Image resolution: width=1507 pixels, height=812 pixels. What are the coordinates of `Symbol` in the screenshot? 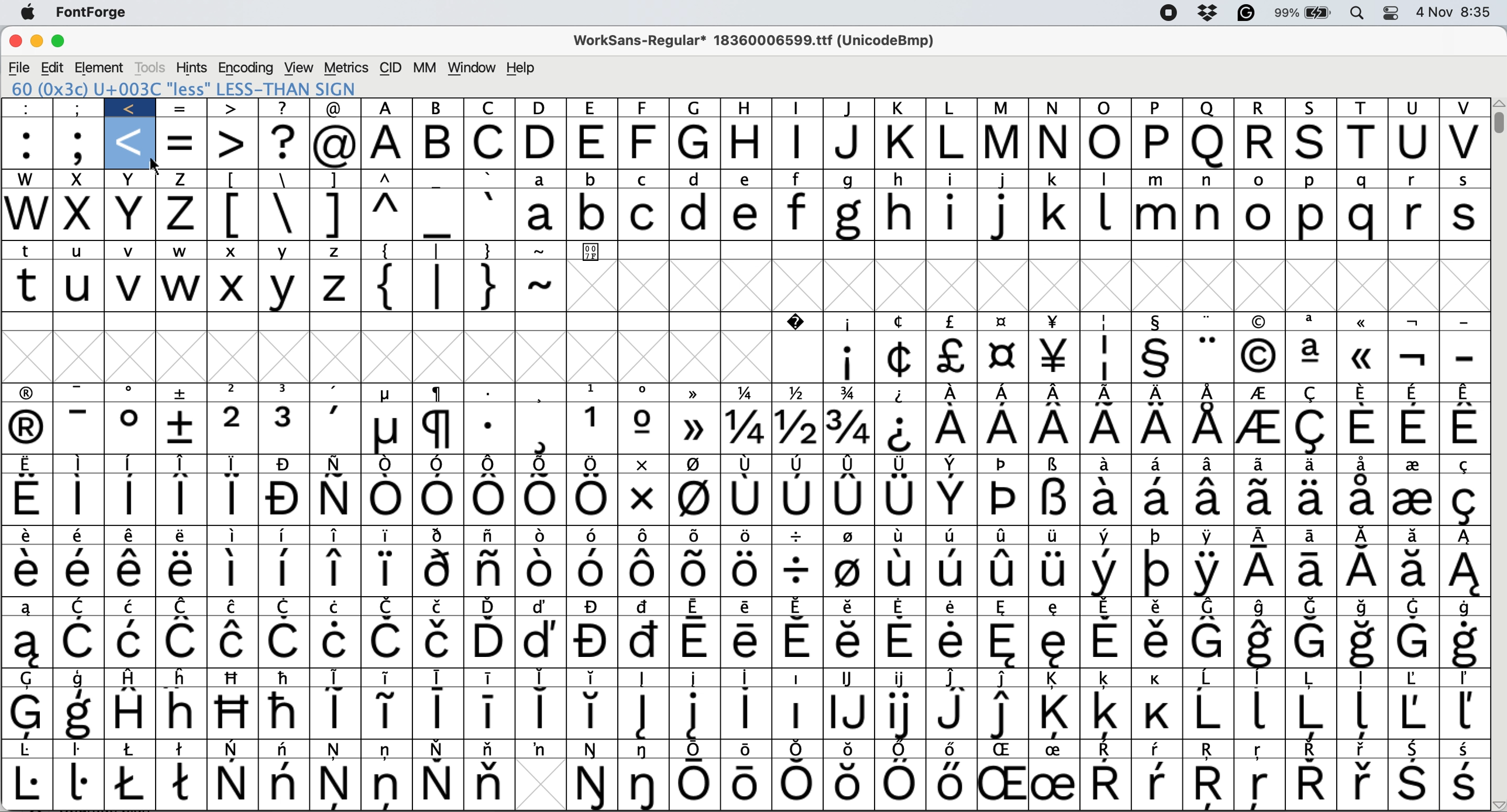 It's located at (694, 429).